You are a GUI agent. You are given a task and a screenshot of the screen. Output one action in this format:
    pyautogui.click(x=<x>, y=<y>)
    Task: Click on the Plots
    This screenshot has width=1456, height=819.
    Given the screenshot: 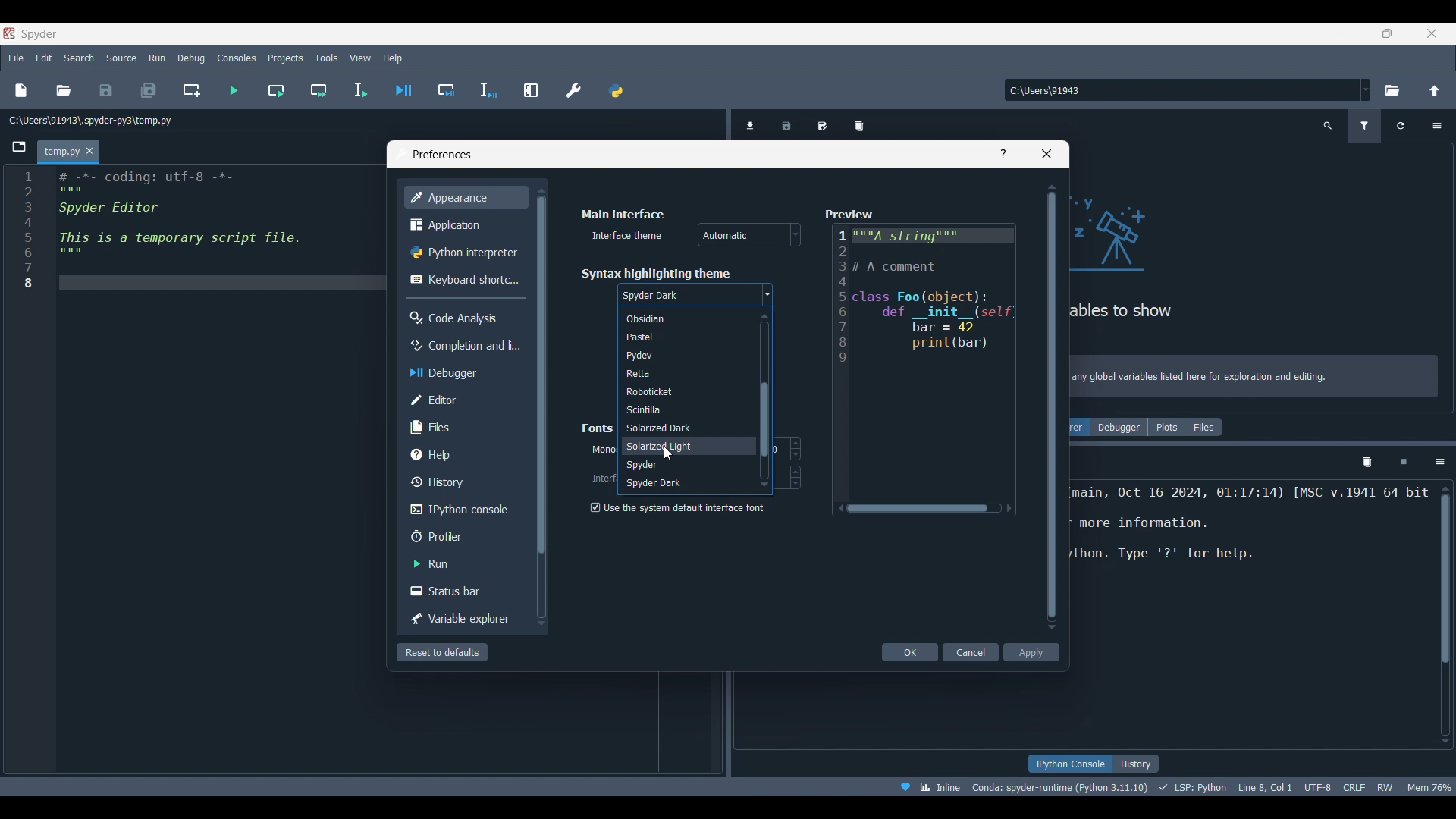 What is the action you would take?
    pyautogui.click(x=1166, y=427)
    